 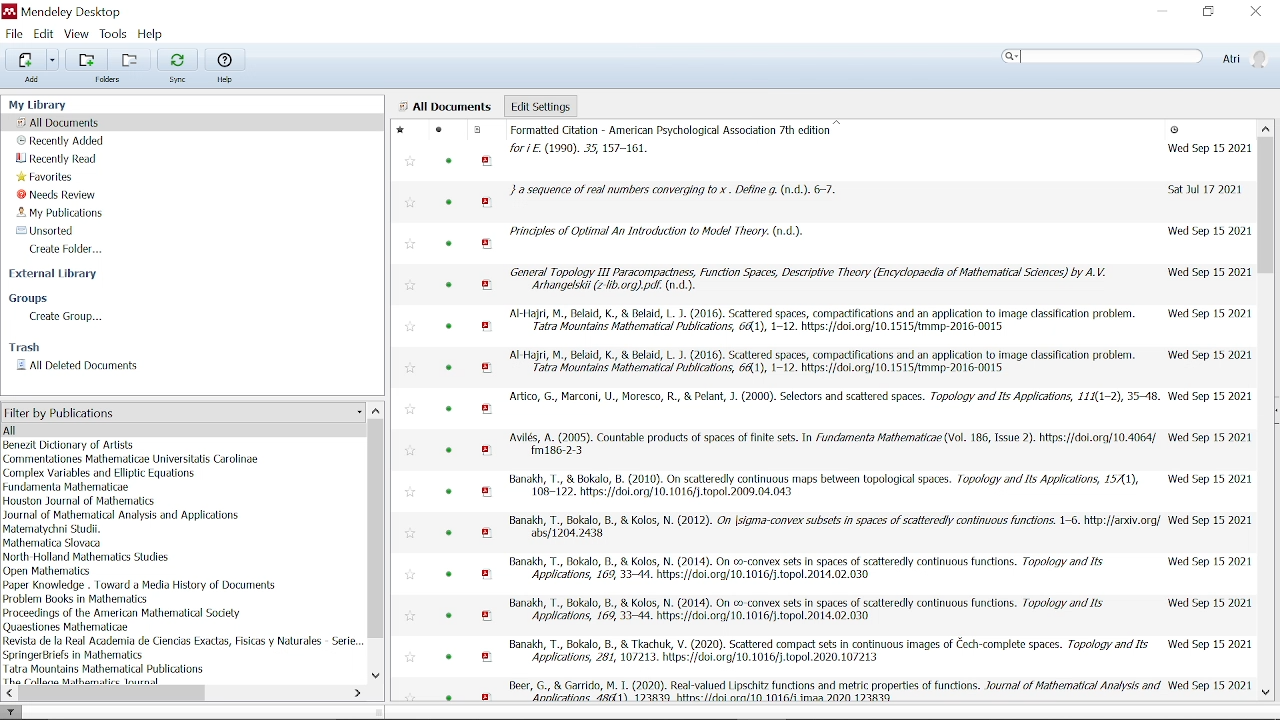 I want to click on Filter, so click(x=12, y=711).